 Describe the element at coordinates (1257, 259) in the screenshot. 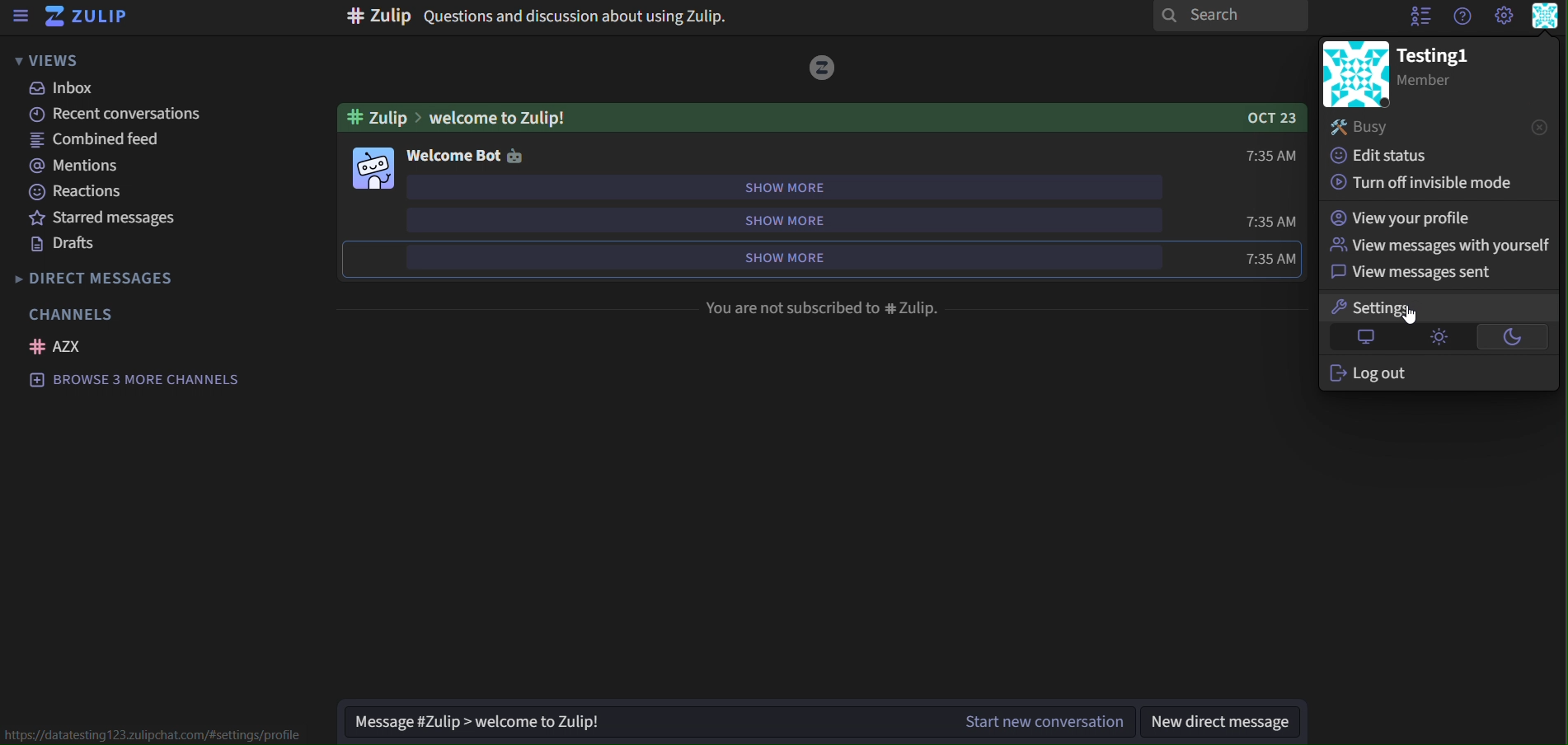

I see `7:35AM` at that location.